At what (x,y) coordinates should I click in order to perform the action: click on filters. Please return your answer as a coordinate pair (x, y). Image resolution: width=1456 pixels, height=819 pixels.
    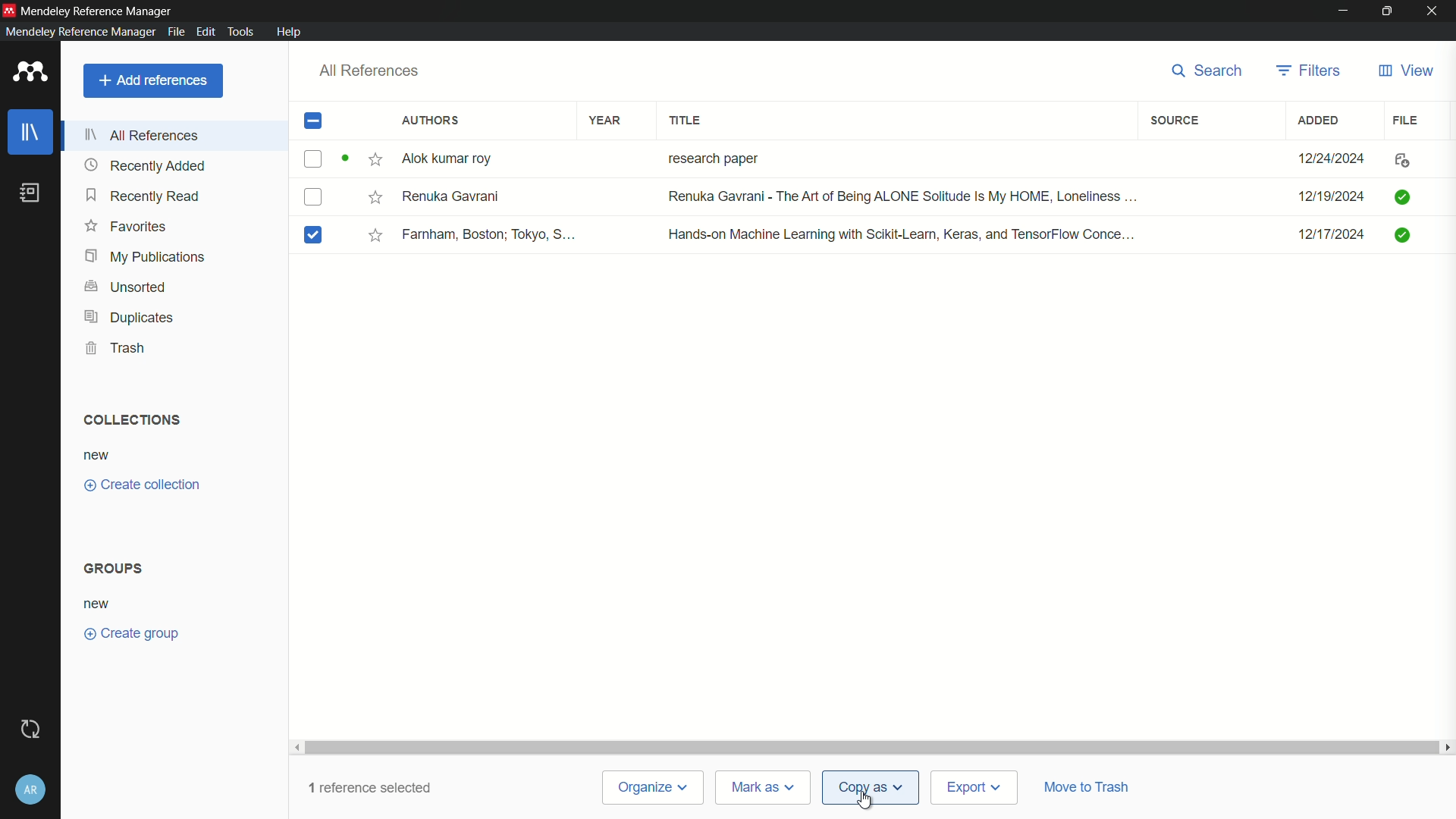
    Looking at the image, I should click on (1307, 71).